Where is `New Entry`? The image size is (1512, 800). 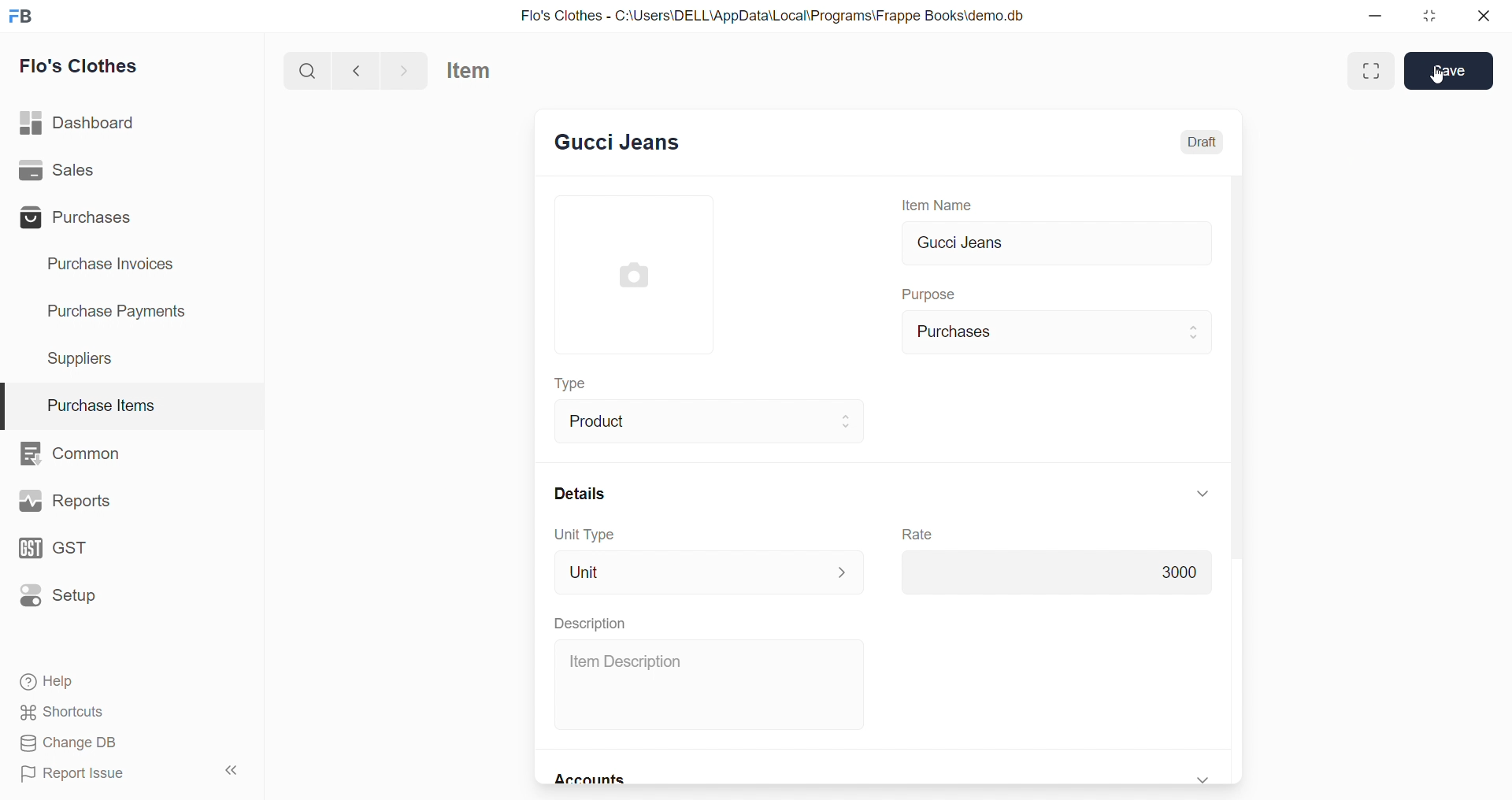
New Entry is located at coordinates (617, 144).